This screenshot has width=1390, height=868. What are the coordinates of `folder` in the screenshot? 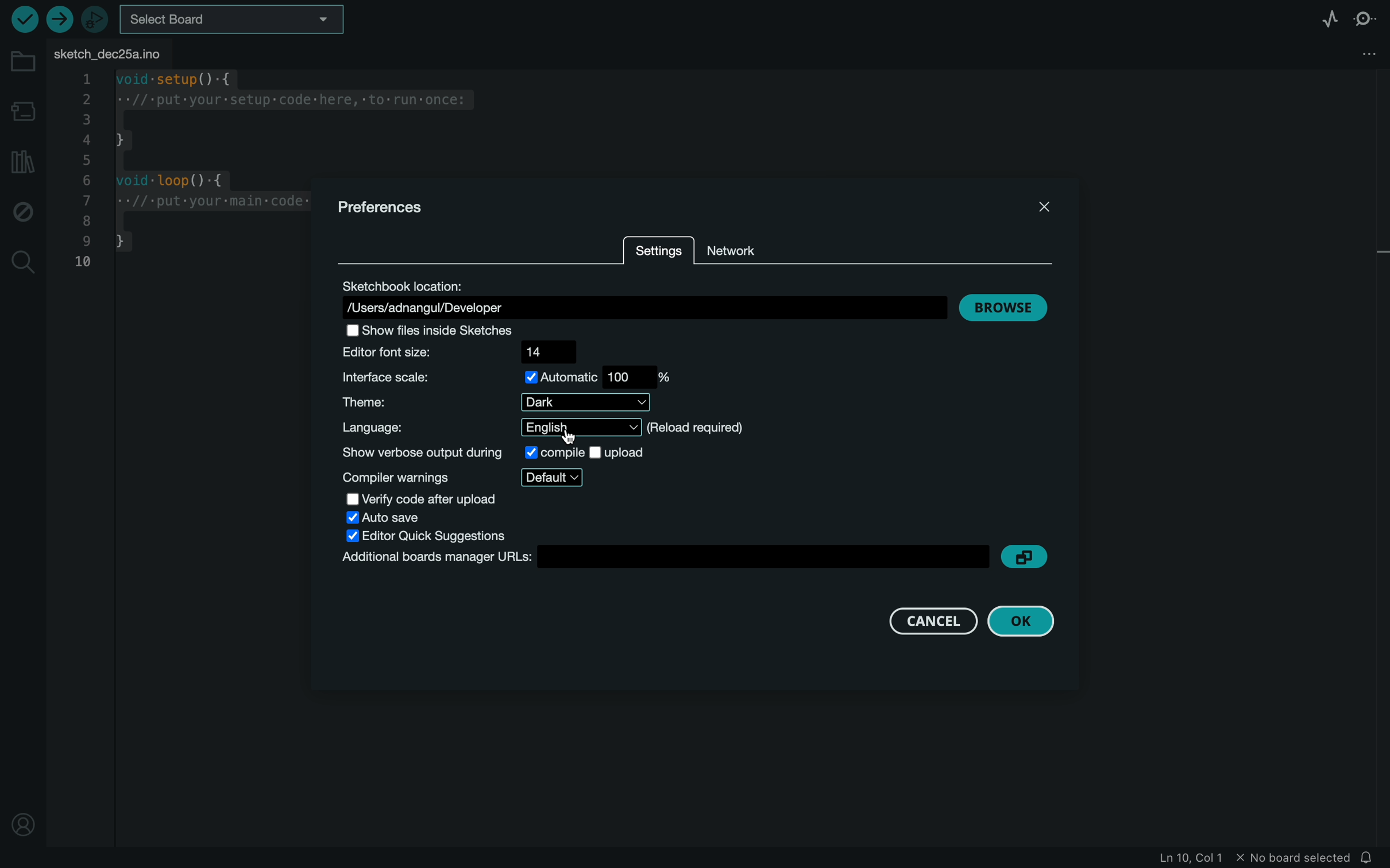 It's located at (23, 62).